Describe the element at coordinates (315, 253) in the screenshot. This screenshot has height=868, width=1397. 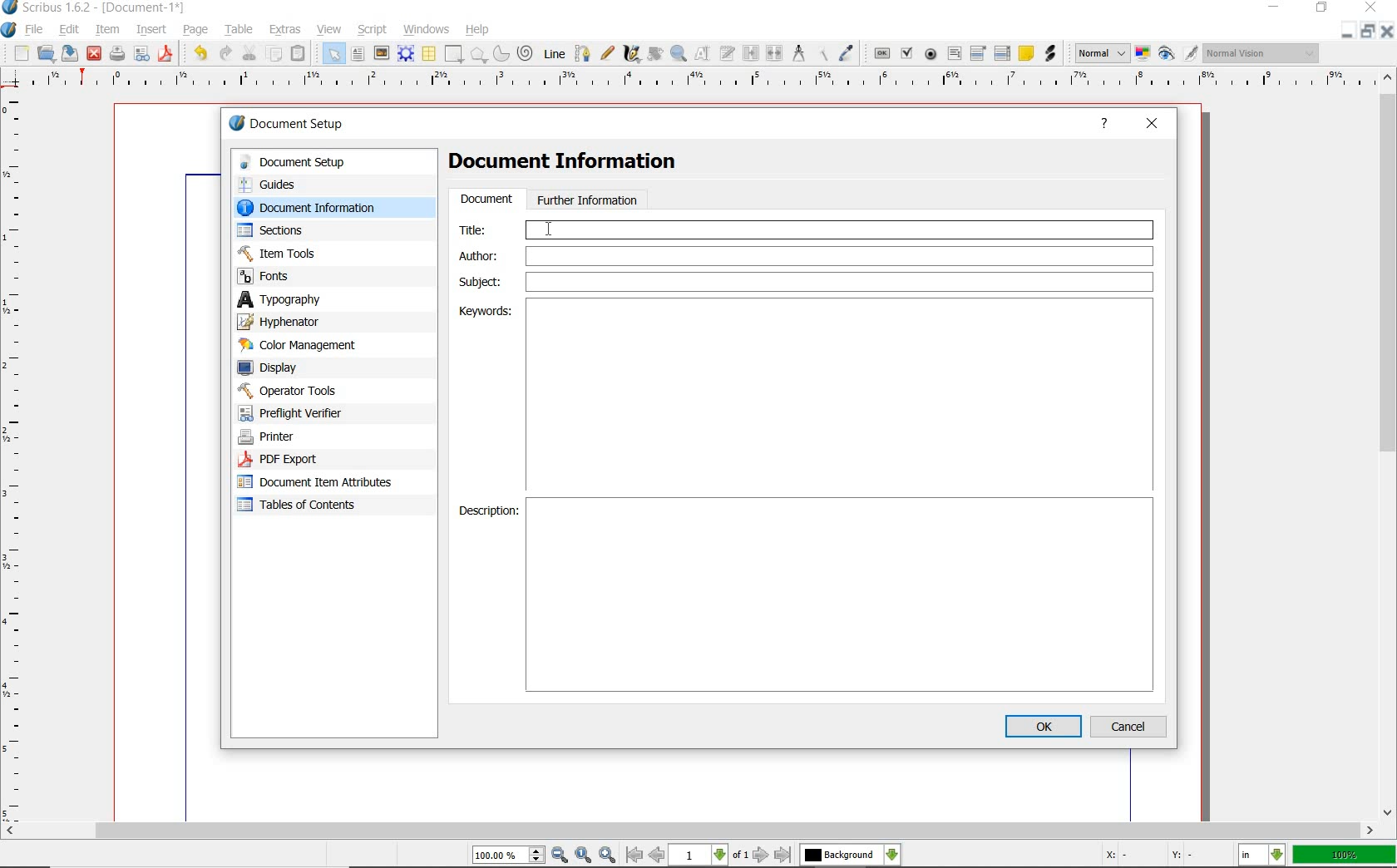
I see `Item Tools` at that location.